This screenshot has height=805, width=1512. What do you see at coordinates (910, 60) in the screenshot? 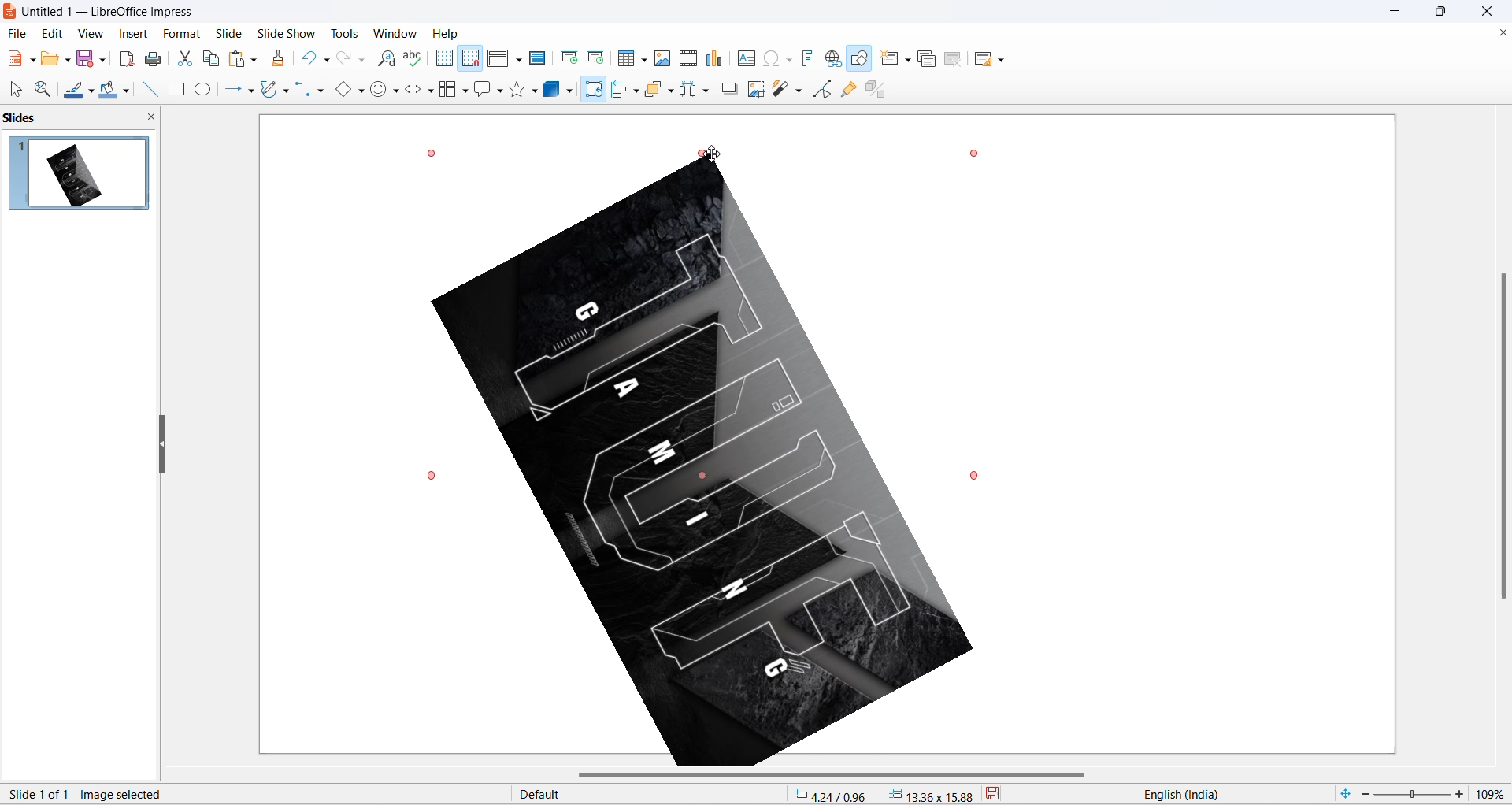
I see `new slide options` at bounding box center [910, 60].